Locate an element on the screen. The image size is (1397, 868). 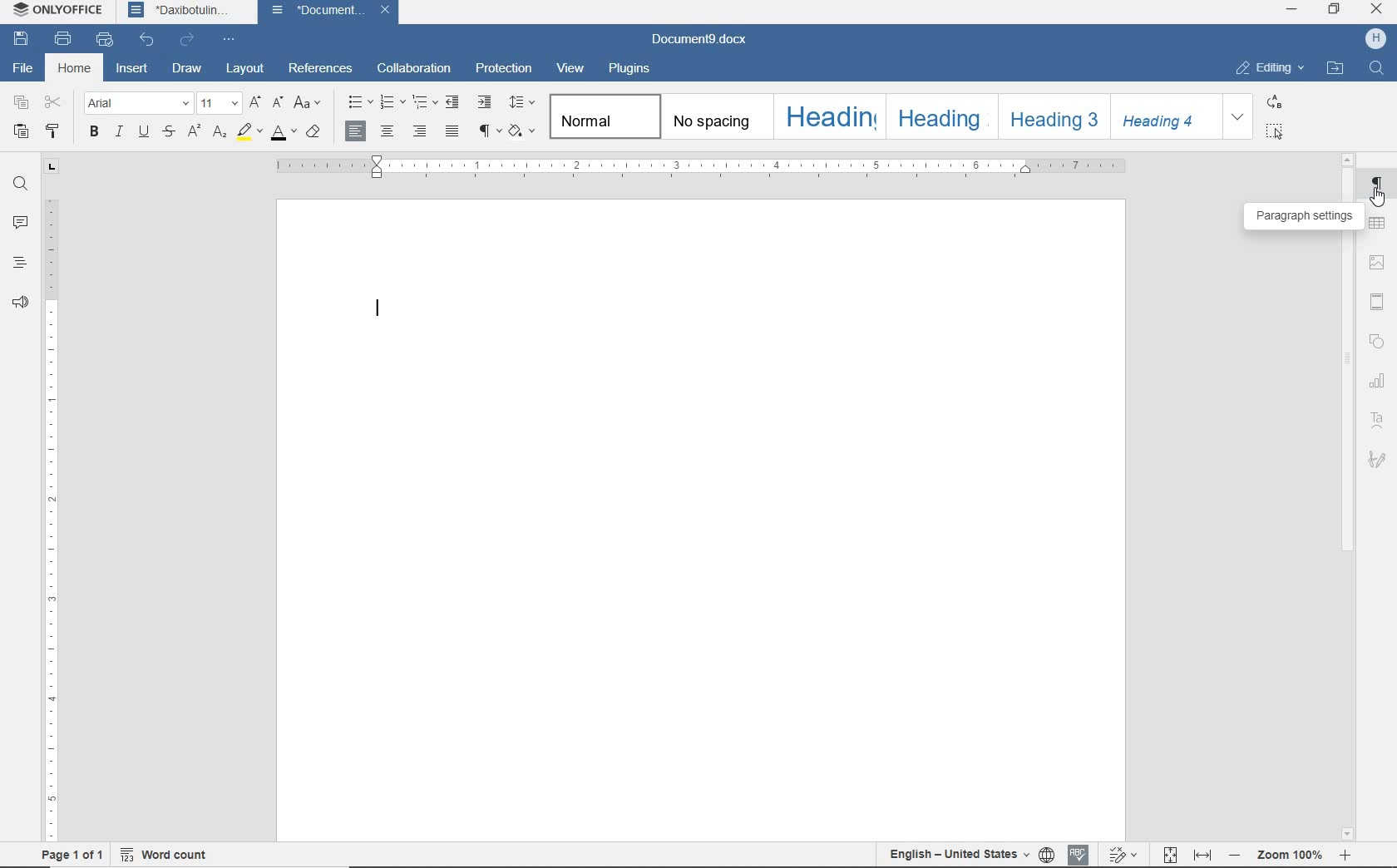
paragraph settings is located at coordinates (1296, 215).